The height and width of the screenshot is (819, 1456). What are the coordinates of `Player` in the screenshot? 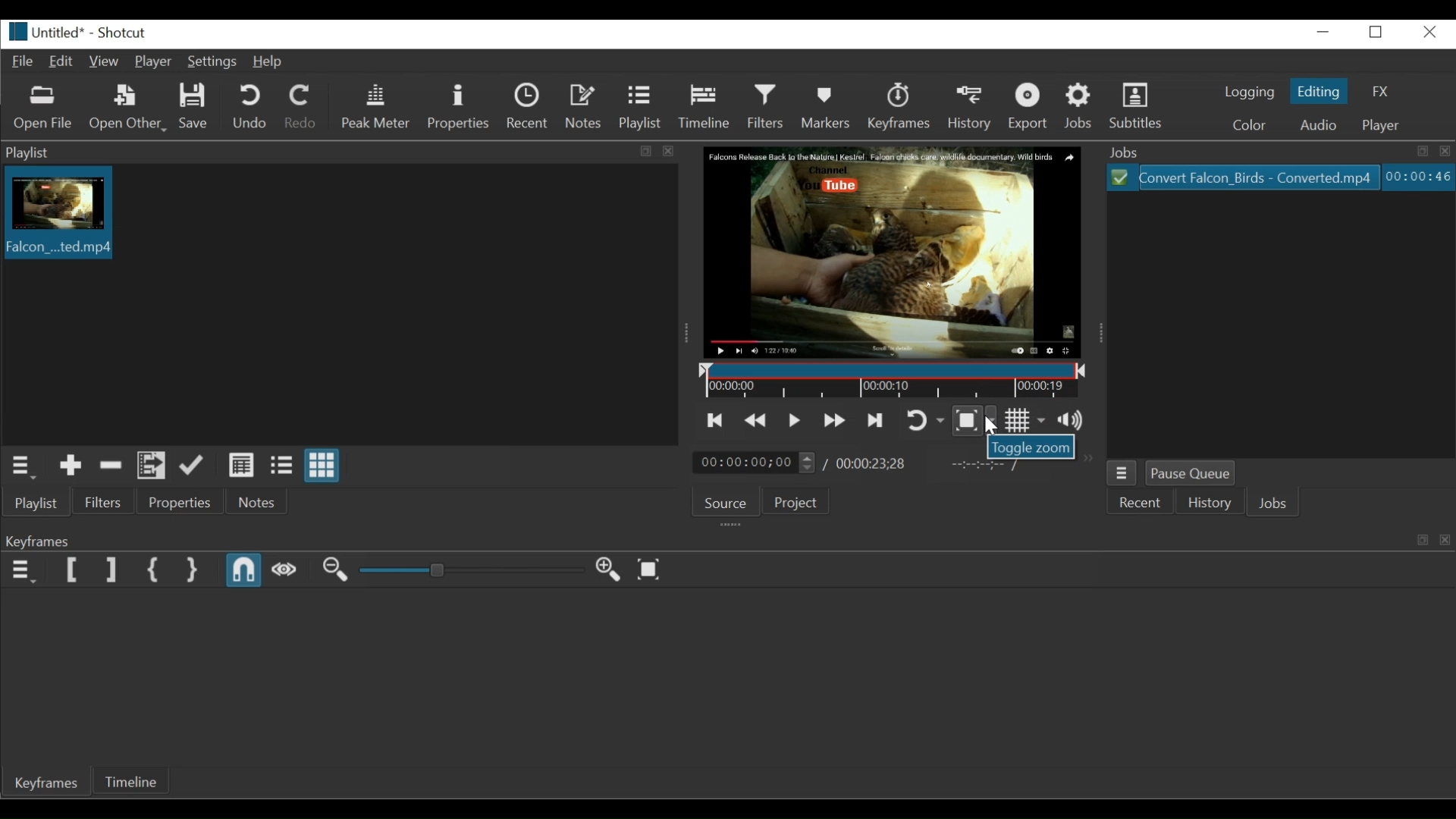 It's located at (152, 61).